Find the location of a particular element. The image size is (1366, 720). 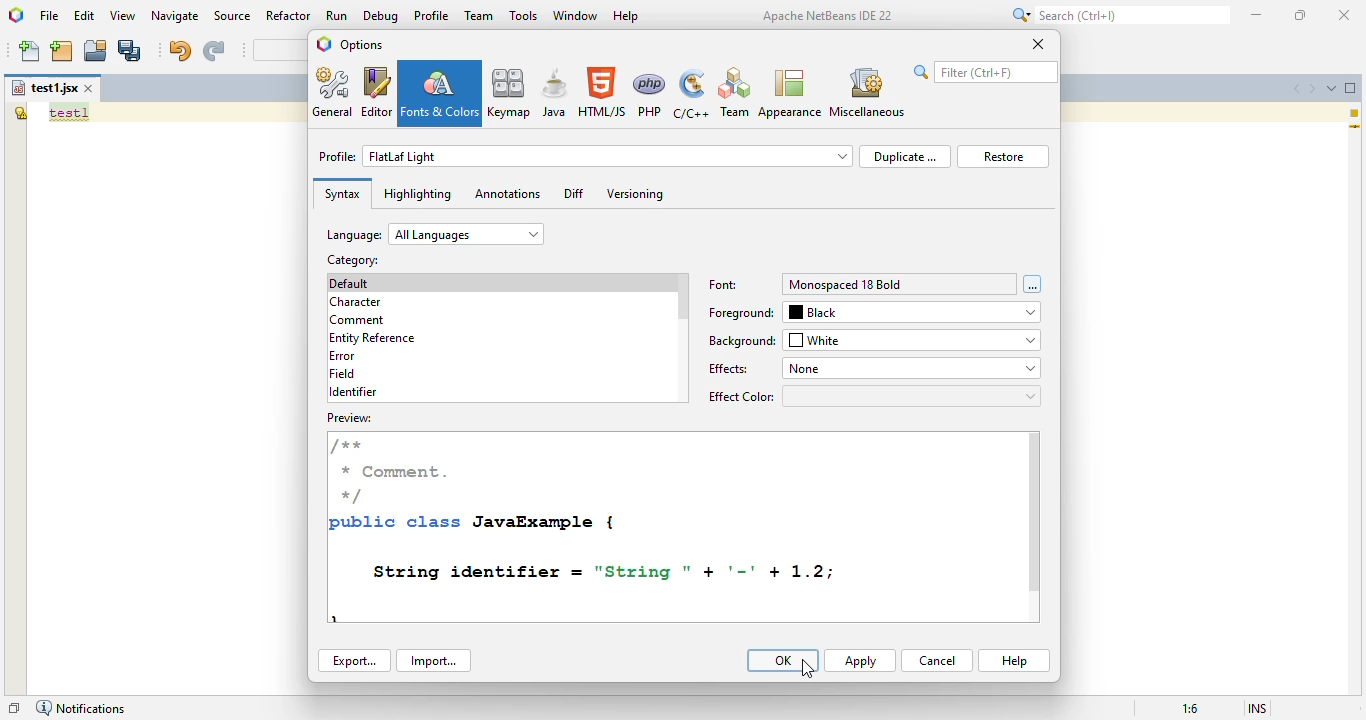

search is located at coordinates (1117, 15).